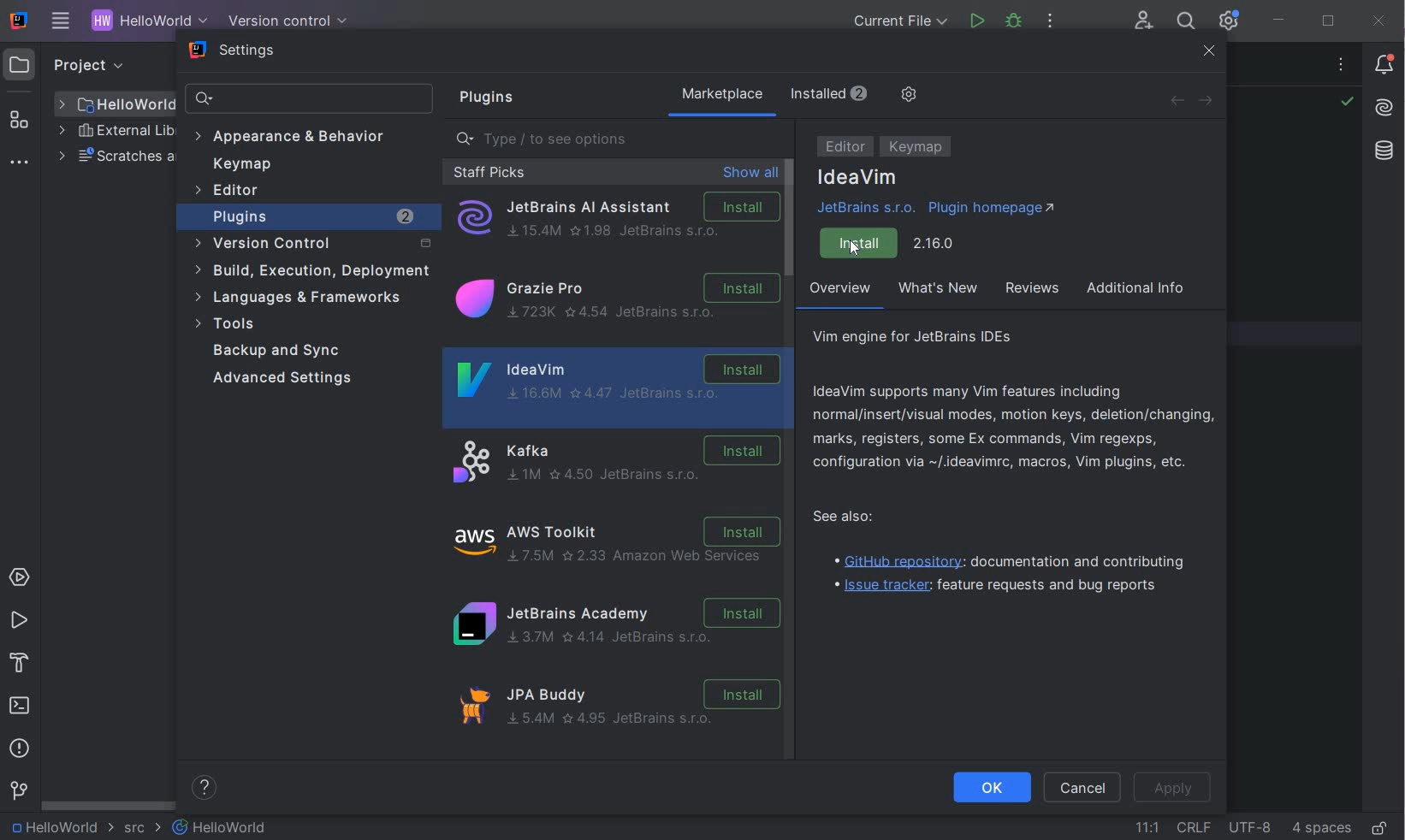 The height and width of the screenshot is (840, 1405). Describe the element at coordinates (940, 290) in the screenshot. I see `what's new` at that location.